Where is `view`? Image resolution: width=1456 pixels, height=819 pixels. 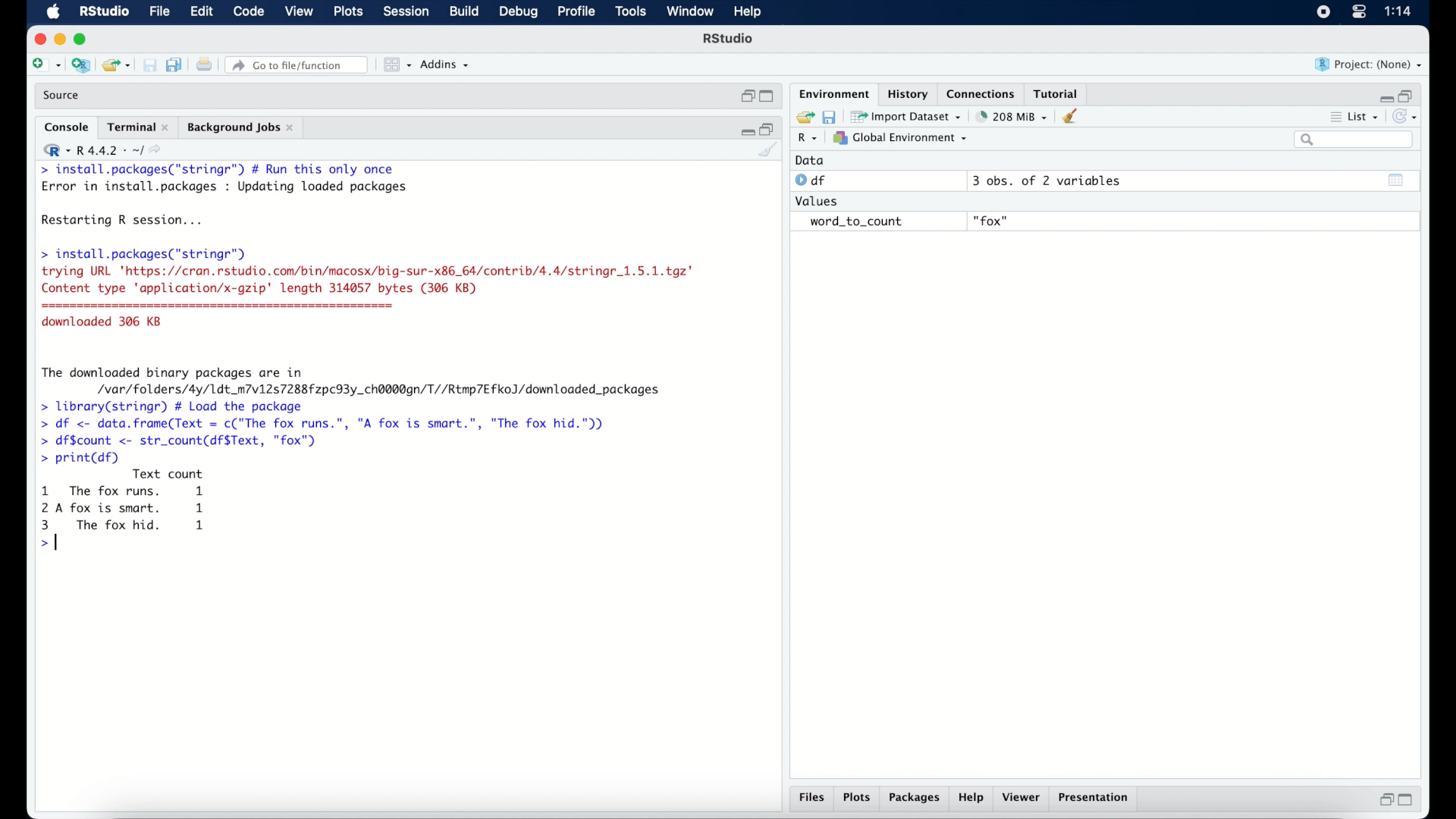 view is located at coordinates (299, 12).